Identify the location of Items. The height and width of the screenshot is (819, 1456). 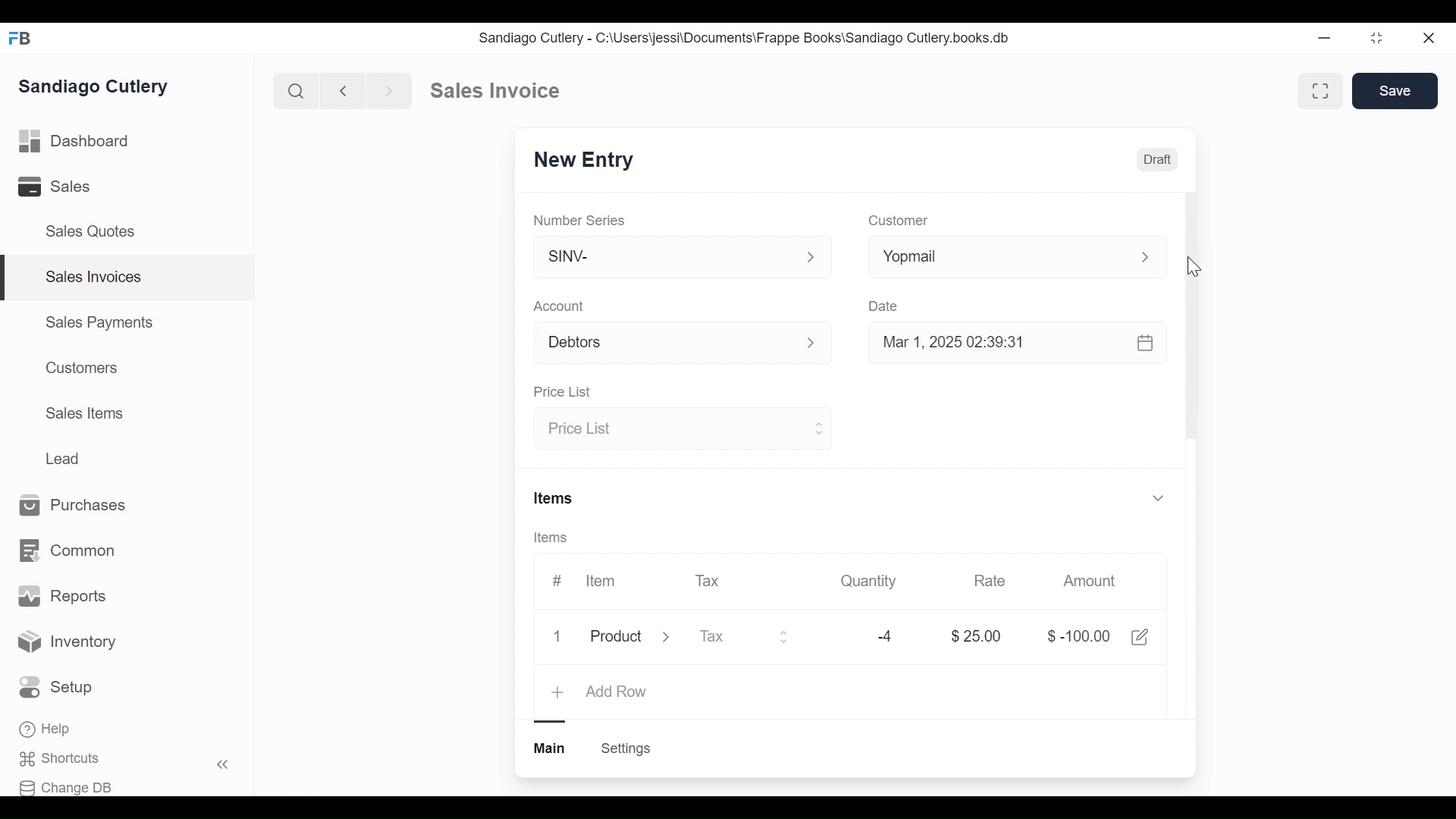
(852, 497).